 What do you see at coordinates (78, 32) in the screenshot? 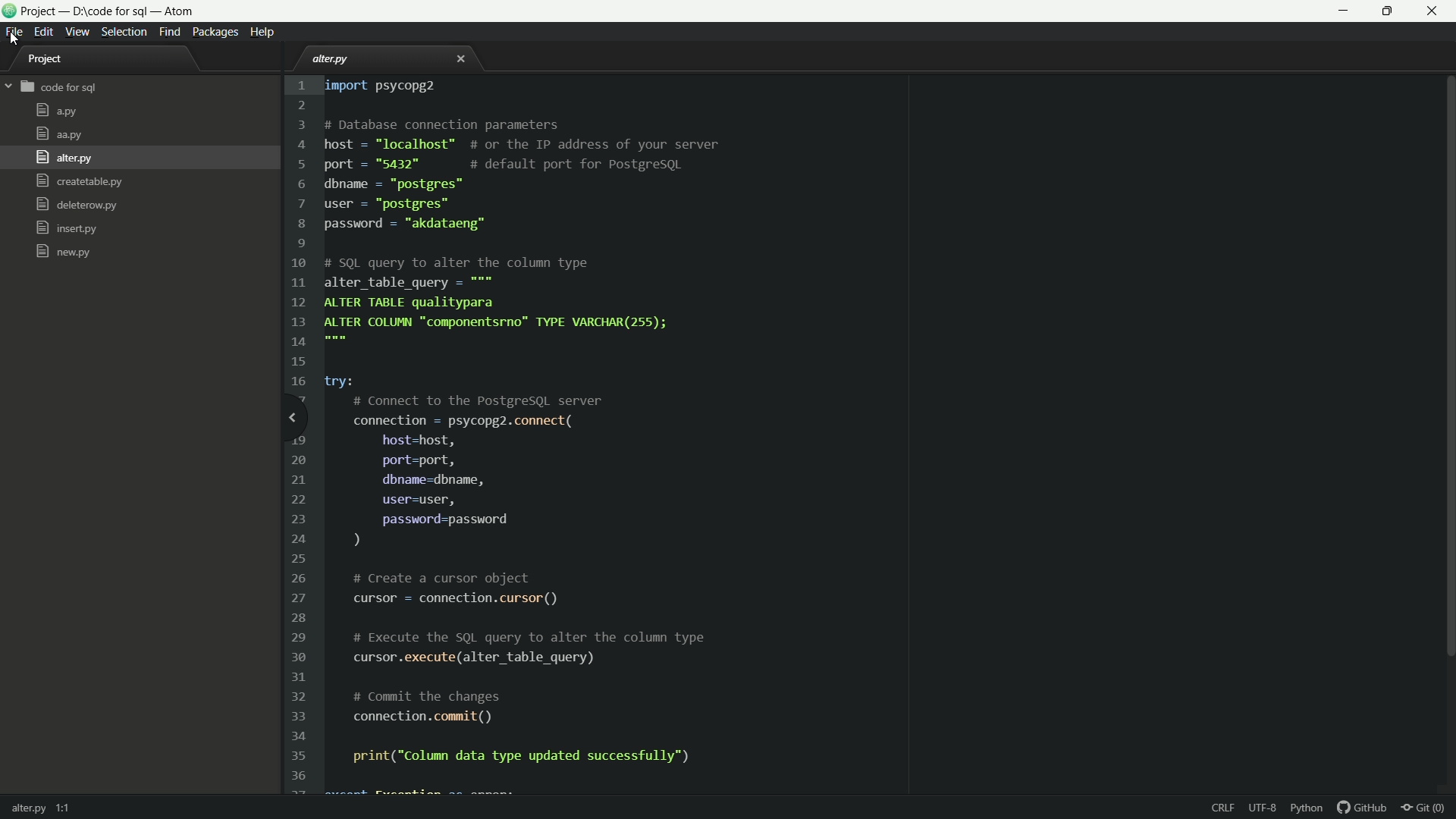
I see `view menu` at bounding box center [78, 32].